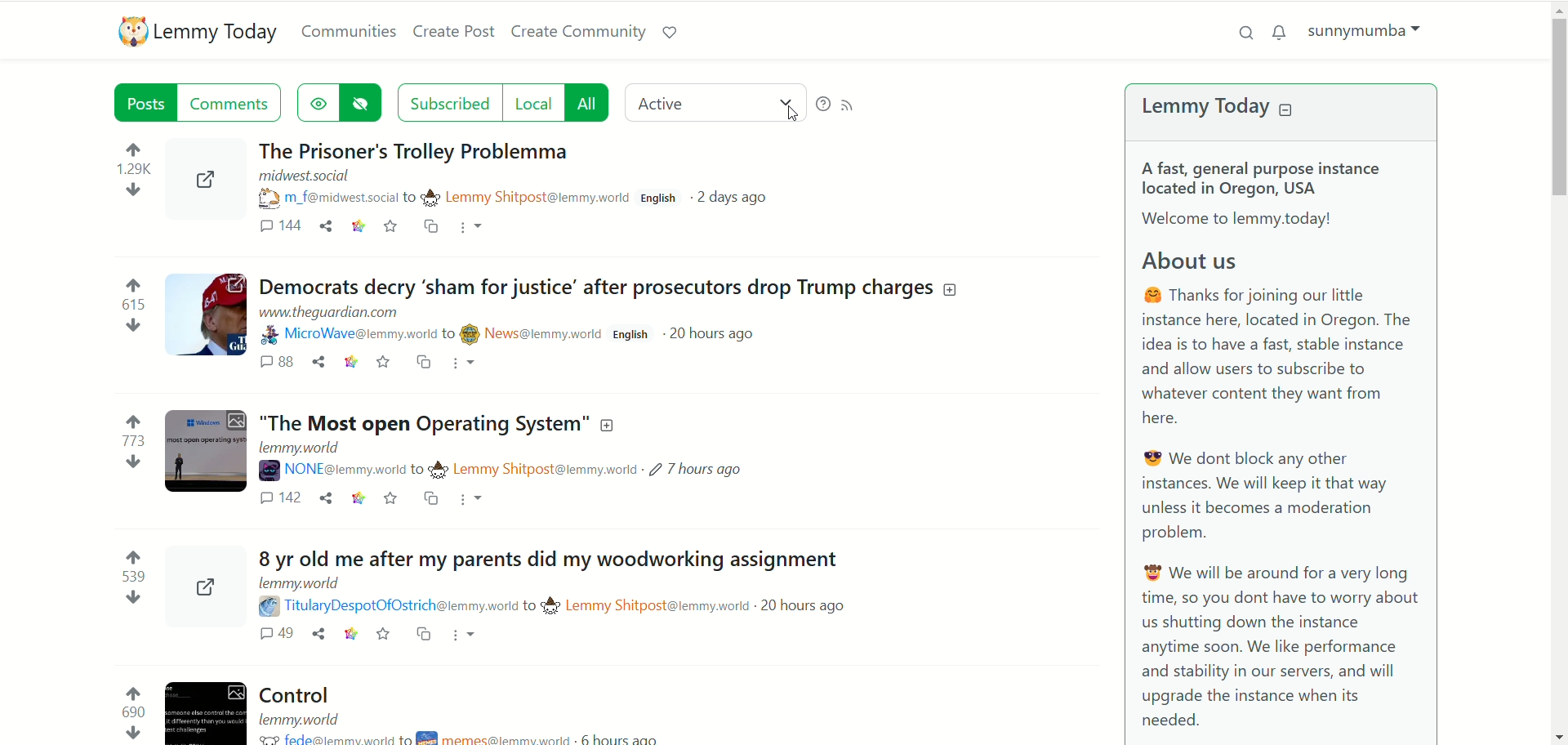 The height and width of the screenshot is (745, 1568). I want to click on lemmy.world, so click(300, 585).